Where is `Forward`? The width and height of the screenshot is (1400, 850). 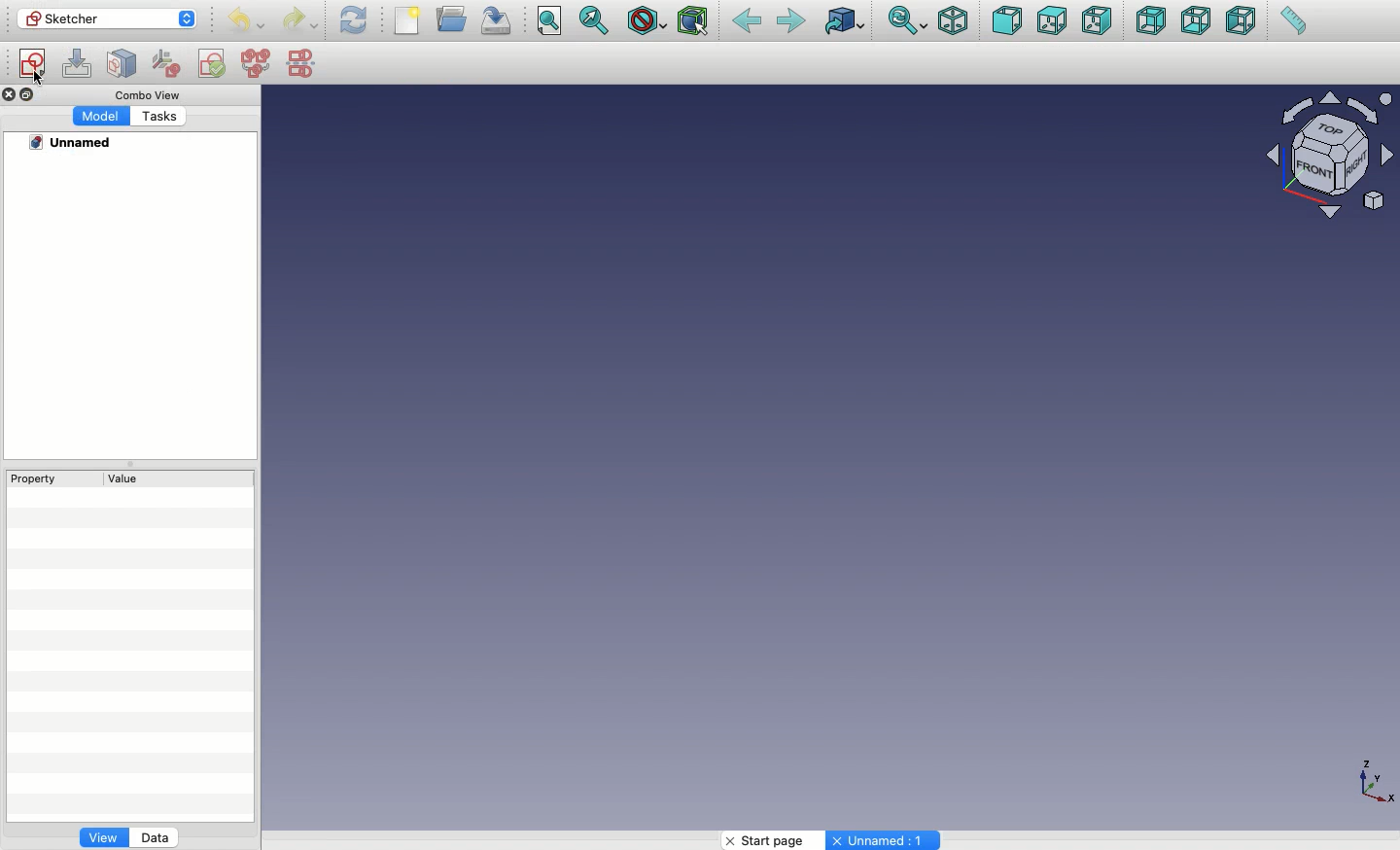
Forward is located at coordinates (791, 22).